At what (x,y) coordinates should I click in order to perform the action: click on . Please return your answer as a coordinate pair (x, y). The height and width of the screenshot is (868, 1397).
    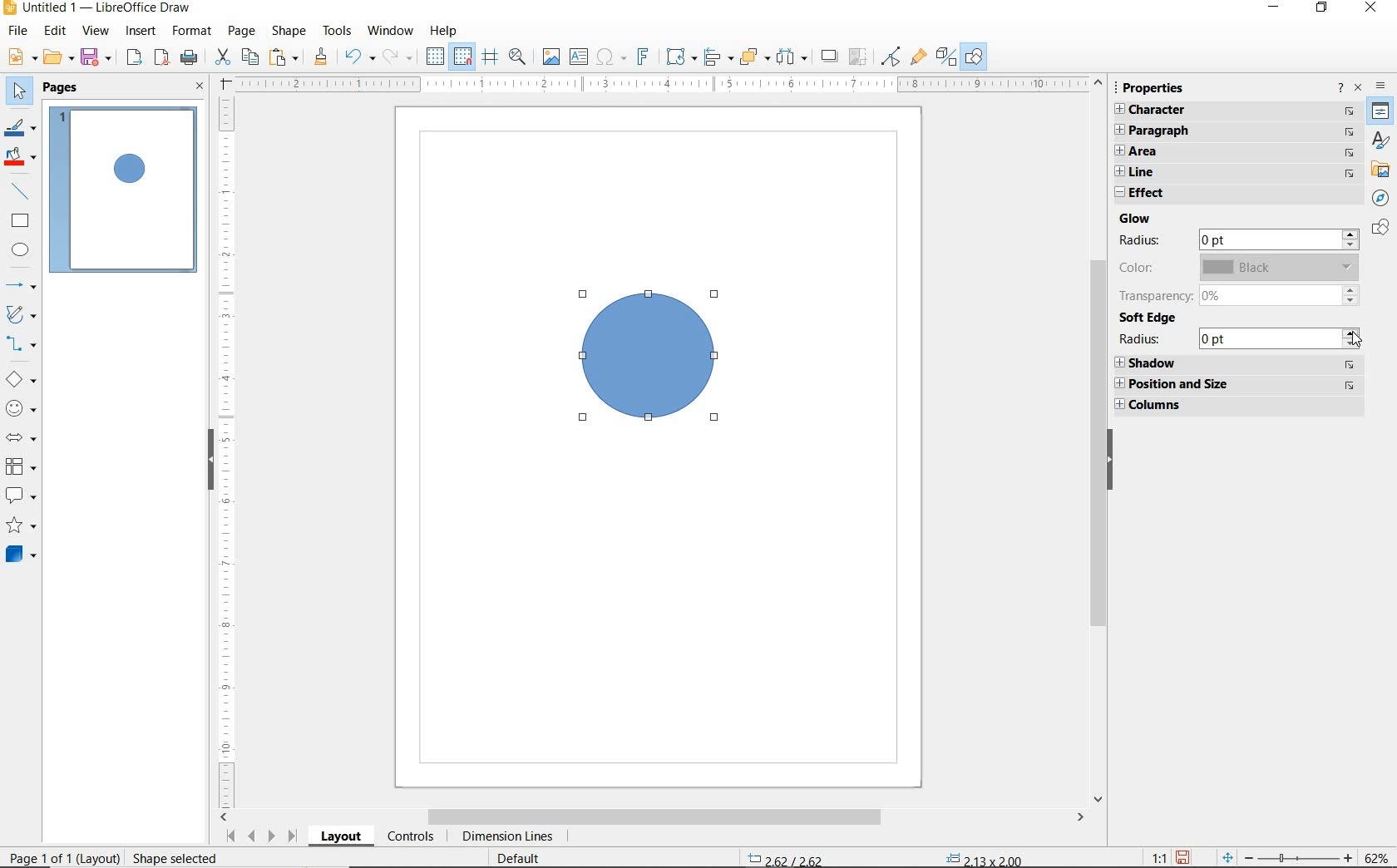
    Looking at the image, I should click on (492, 58).